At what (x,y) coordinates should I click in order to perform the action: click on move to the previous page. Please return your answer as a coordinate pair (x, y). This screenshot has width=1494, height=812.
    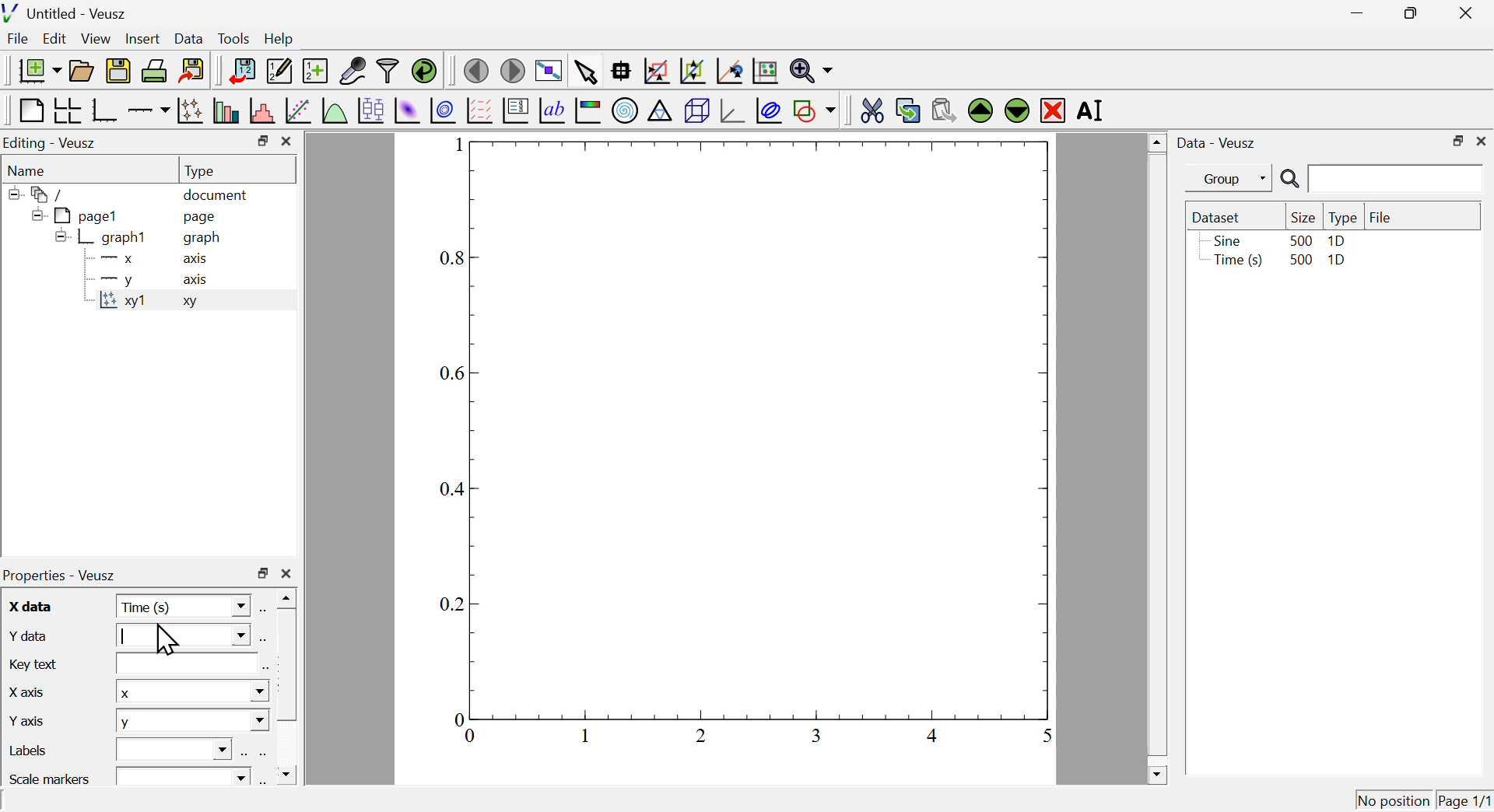
    Looking at the image, I should click on (475, 69).